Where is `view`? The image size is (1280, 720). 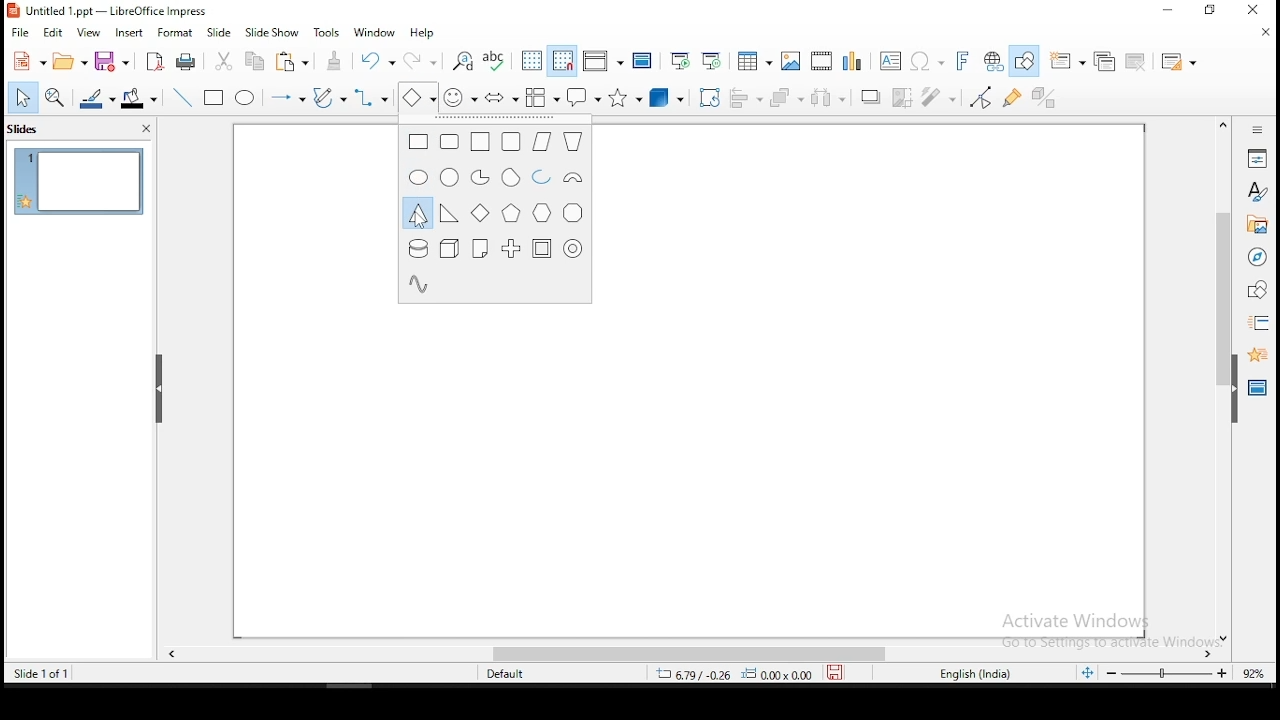 view is located at coordinates (89, 33).